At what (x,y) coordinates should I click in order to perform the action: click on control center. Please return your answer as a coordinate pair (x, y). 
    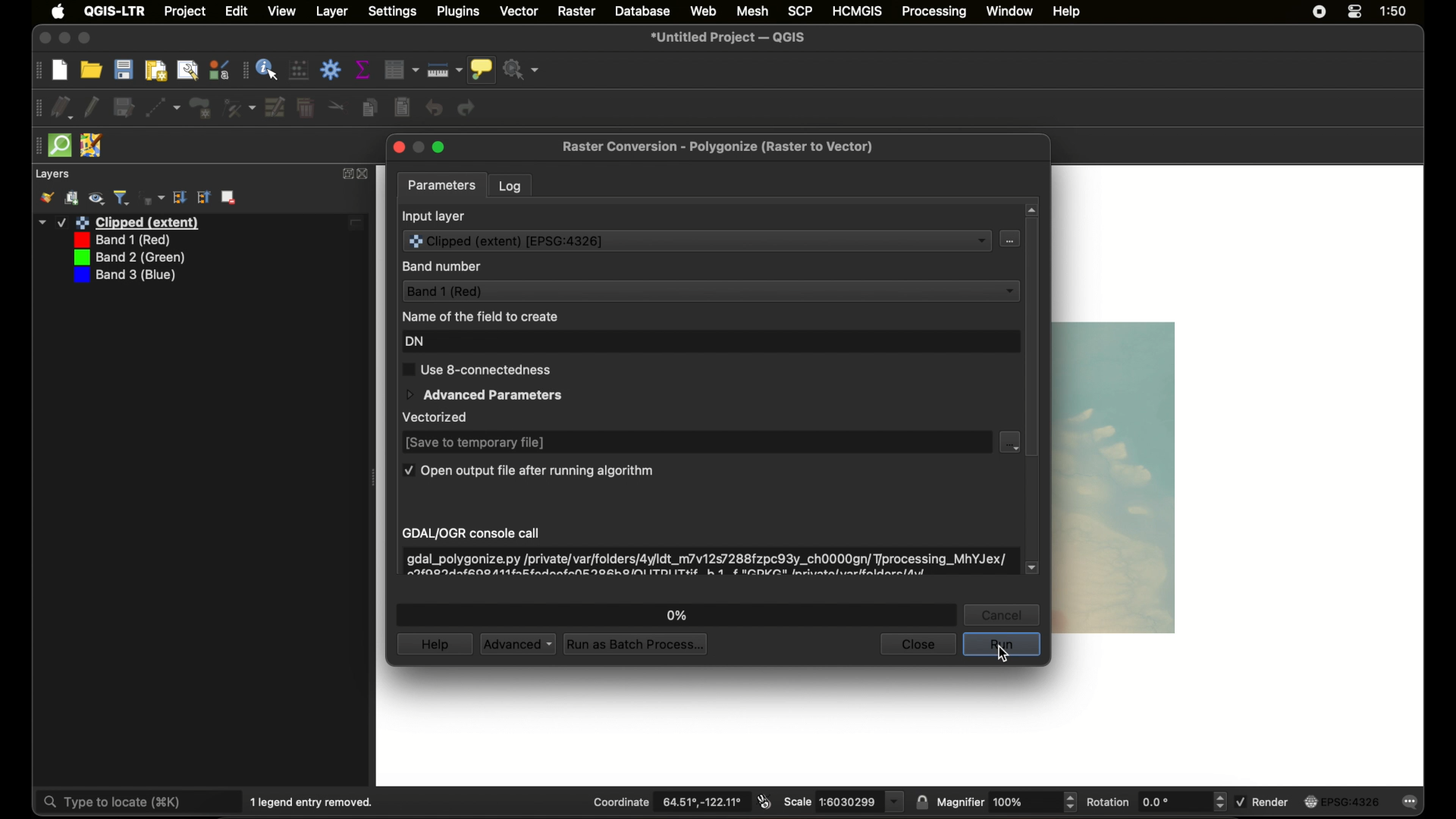
    Looking at the image, I should click on (1355, 12).